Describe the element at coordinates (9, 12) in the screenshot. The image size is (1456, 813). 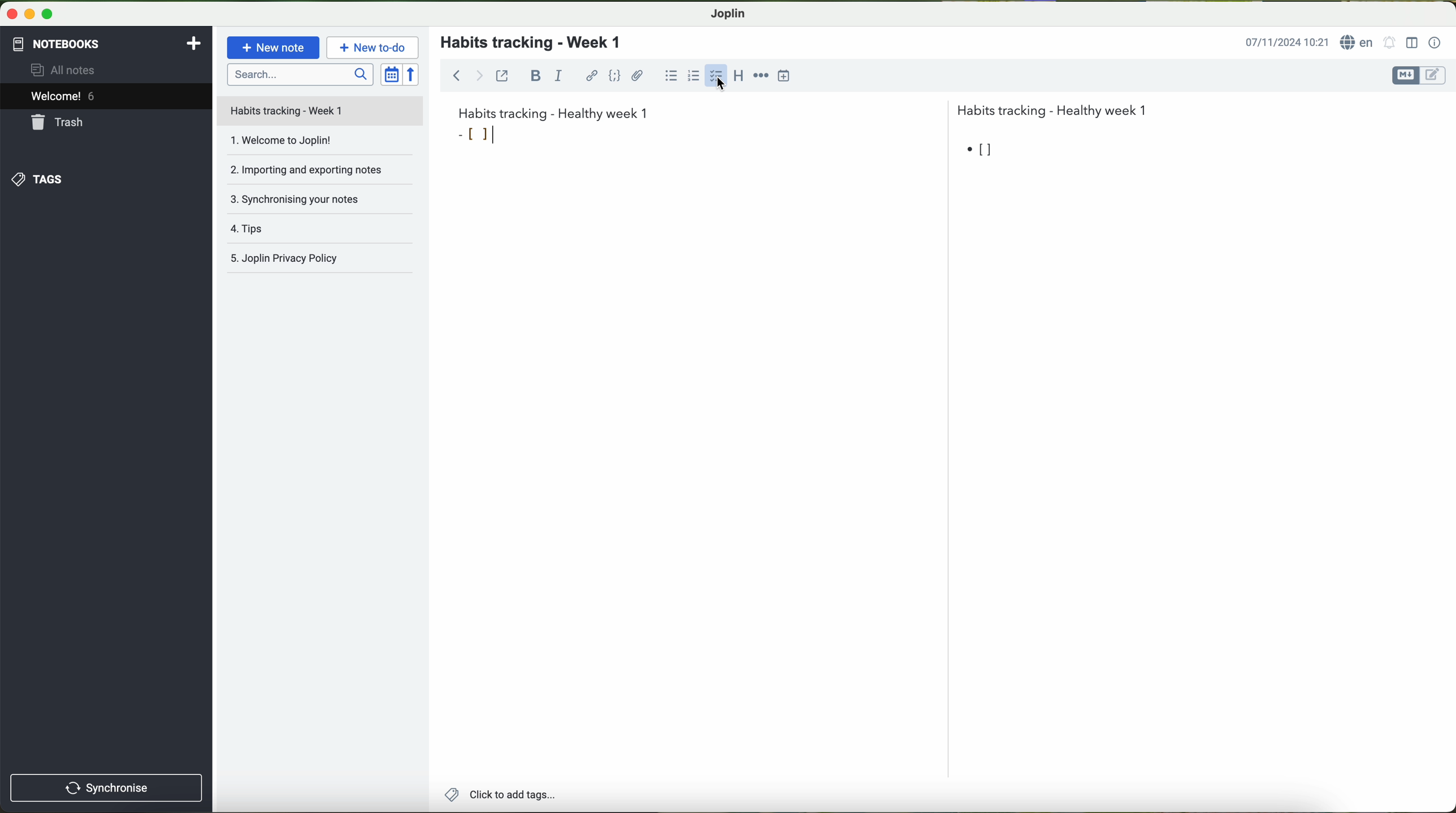
I see `close` at that location.